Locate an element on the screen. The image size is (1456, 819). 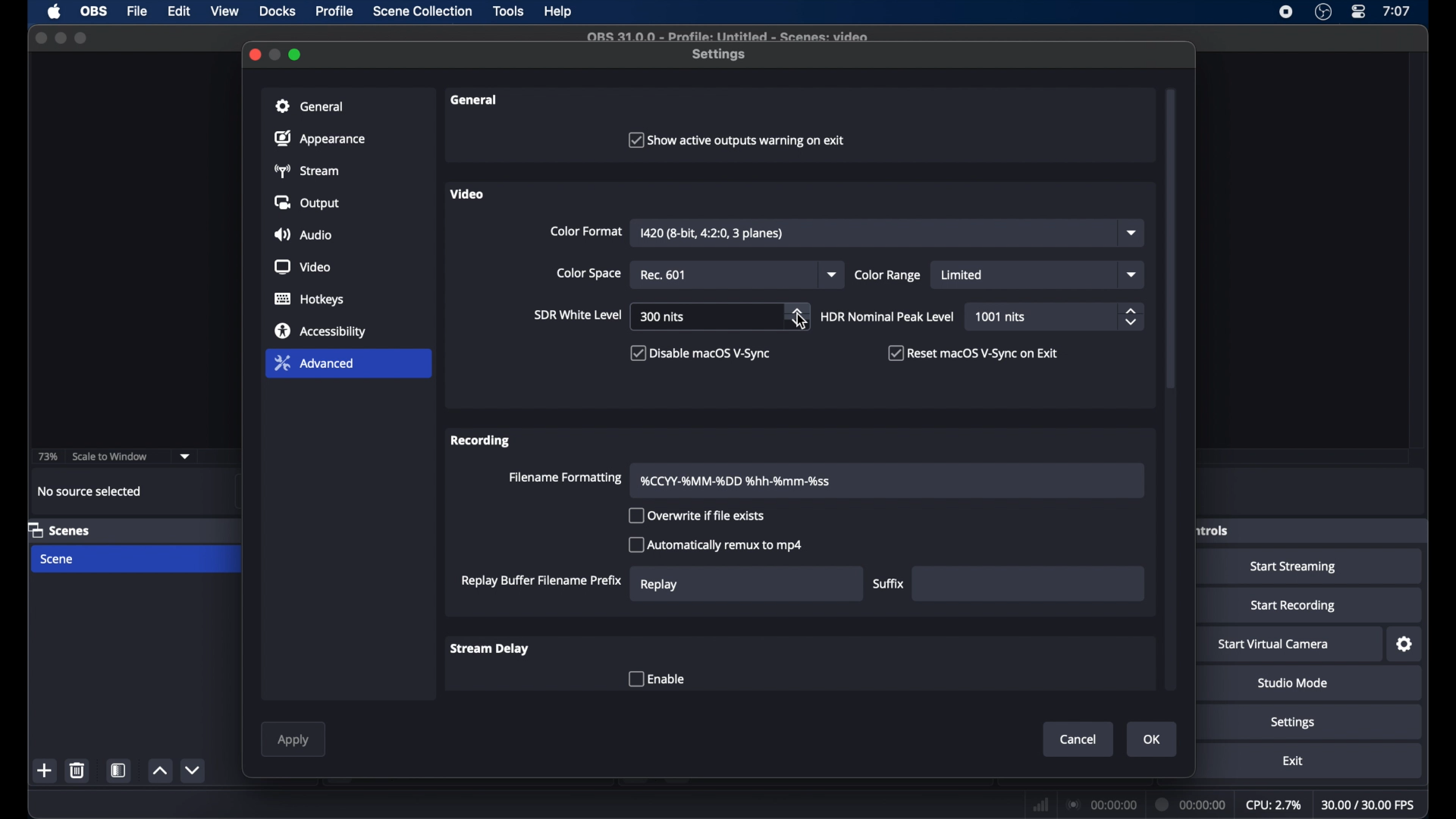
accessibility is located at coordinates (320, 331).